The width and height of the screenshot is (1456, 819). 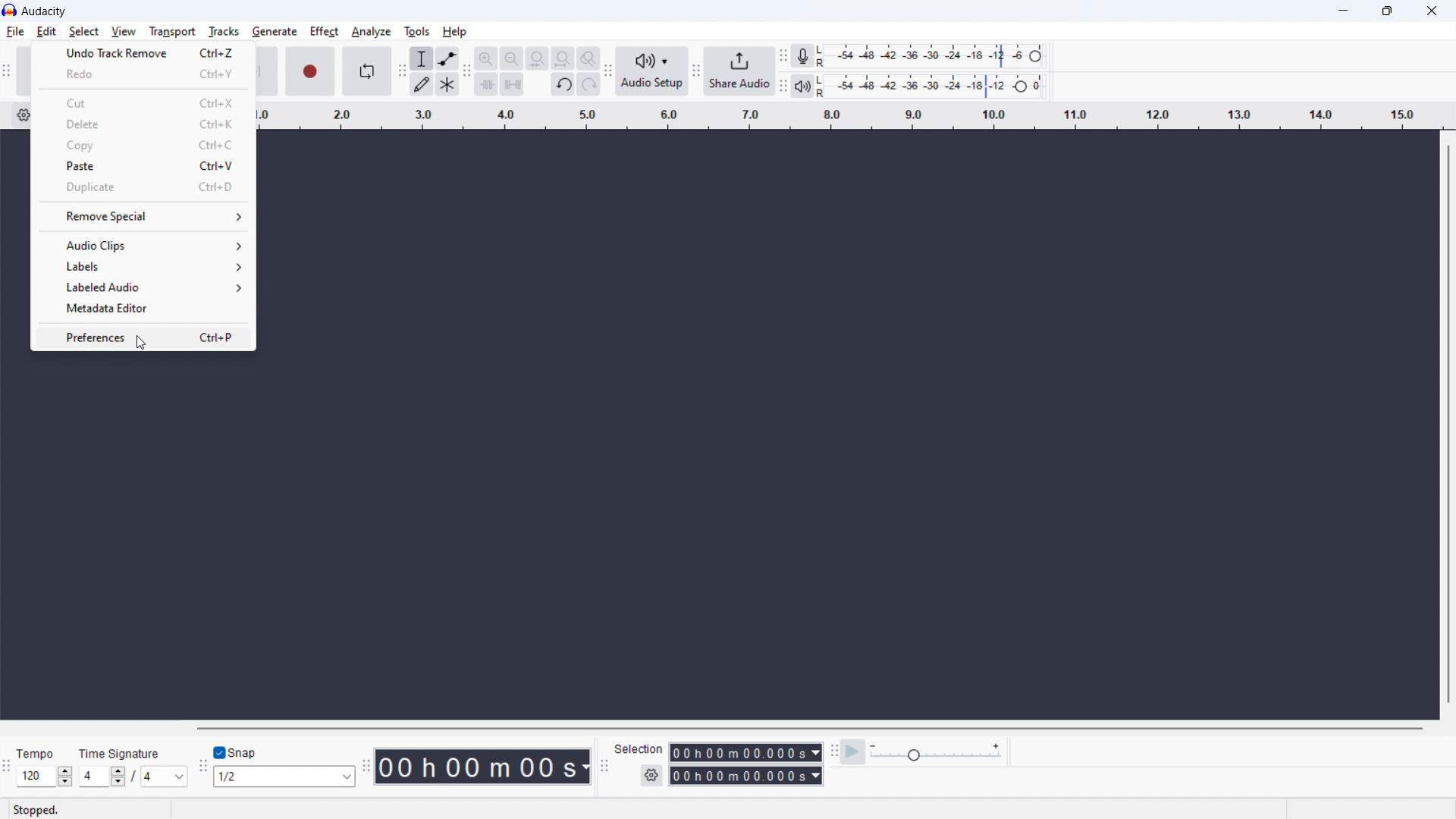 What do you see at coordinates (783, 55) in the screenshot?
I see `Enables movement of recording meter toolbar` at bounding box center [783, 55].